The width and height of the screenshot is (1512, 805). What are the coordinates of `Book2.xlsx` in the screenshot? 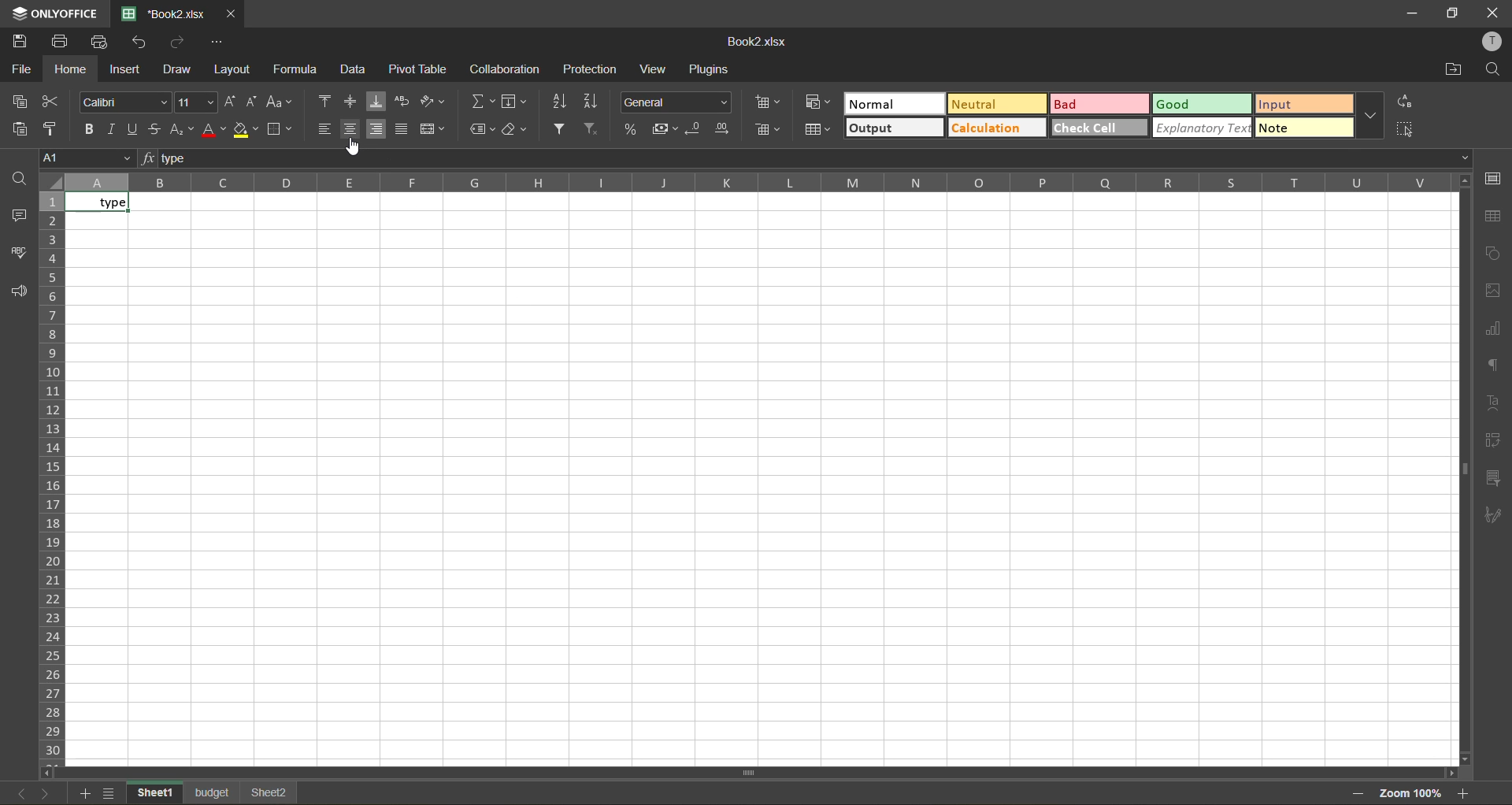 It's located at (758, 43).